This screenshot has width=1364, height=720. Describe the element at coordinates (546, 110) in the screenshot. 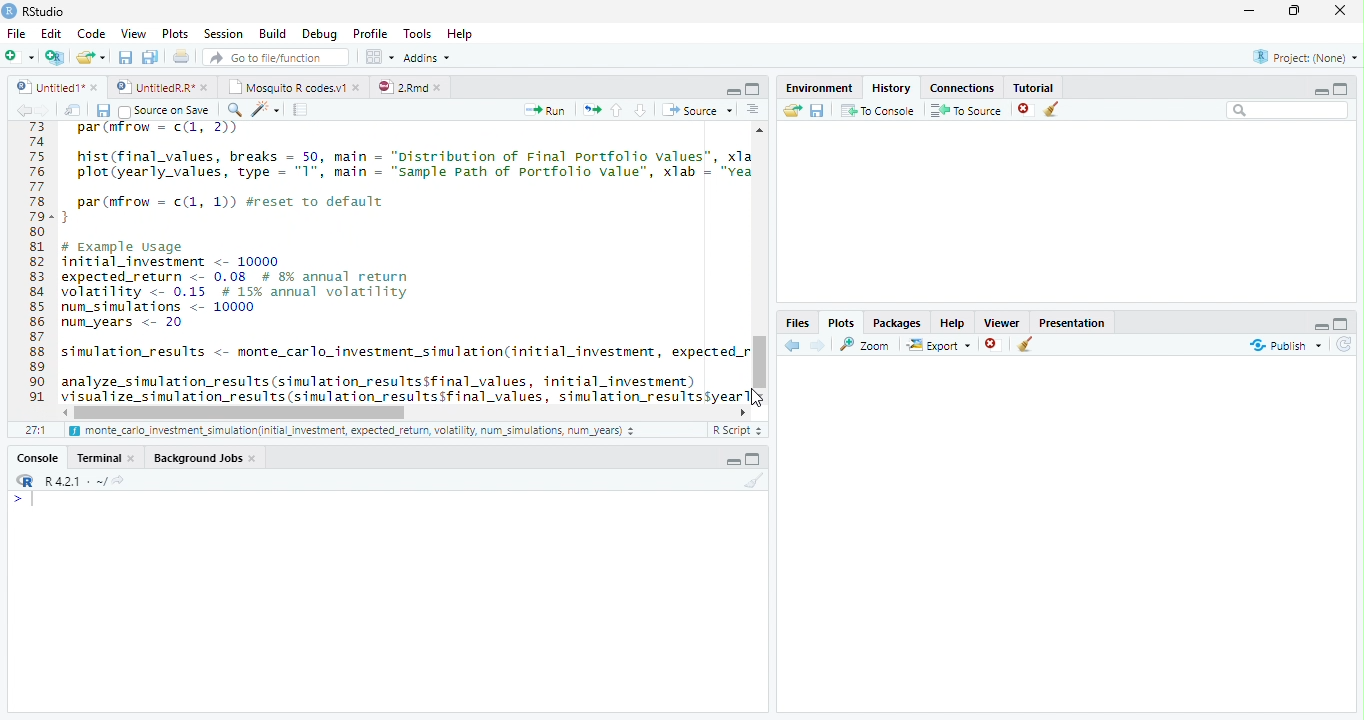

I see `Run` at that location.